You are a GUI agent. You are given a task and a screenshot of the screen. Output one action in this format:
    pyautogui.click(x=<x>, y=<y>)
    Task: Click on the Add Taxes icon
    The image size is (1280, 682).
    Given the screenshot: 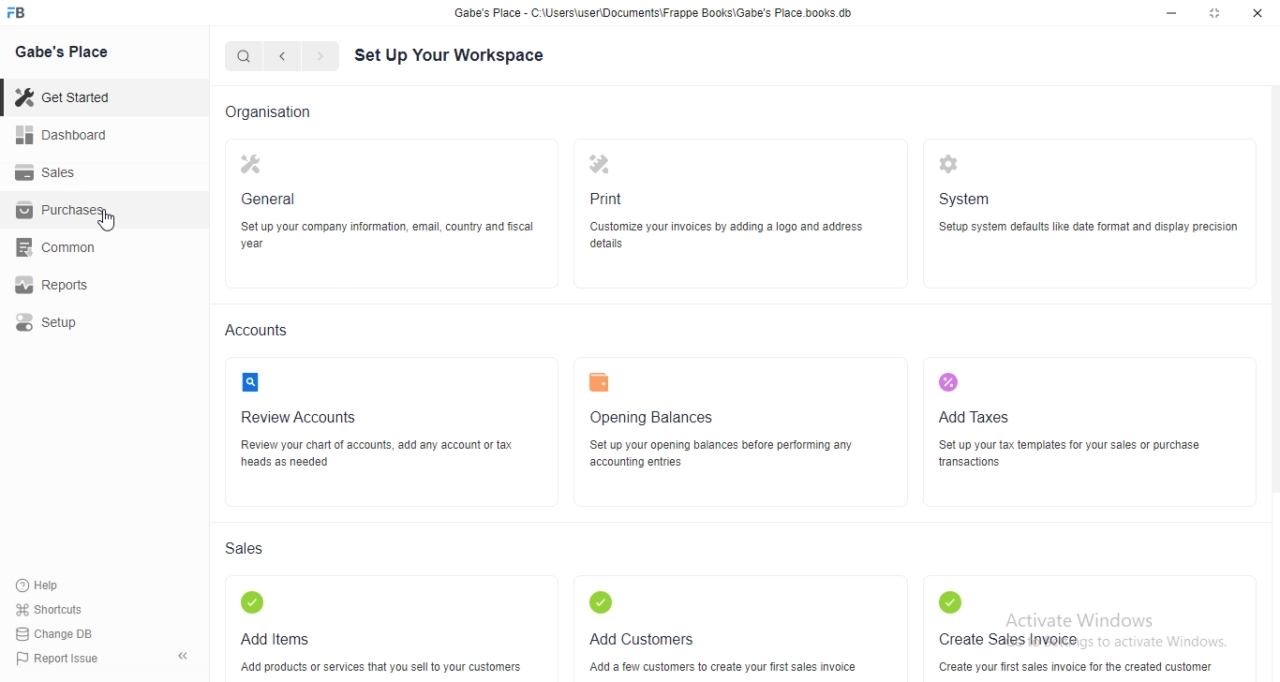 What is the action you would take?
    pyautogui.click(x=949, y=381)
    